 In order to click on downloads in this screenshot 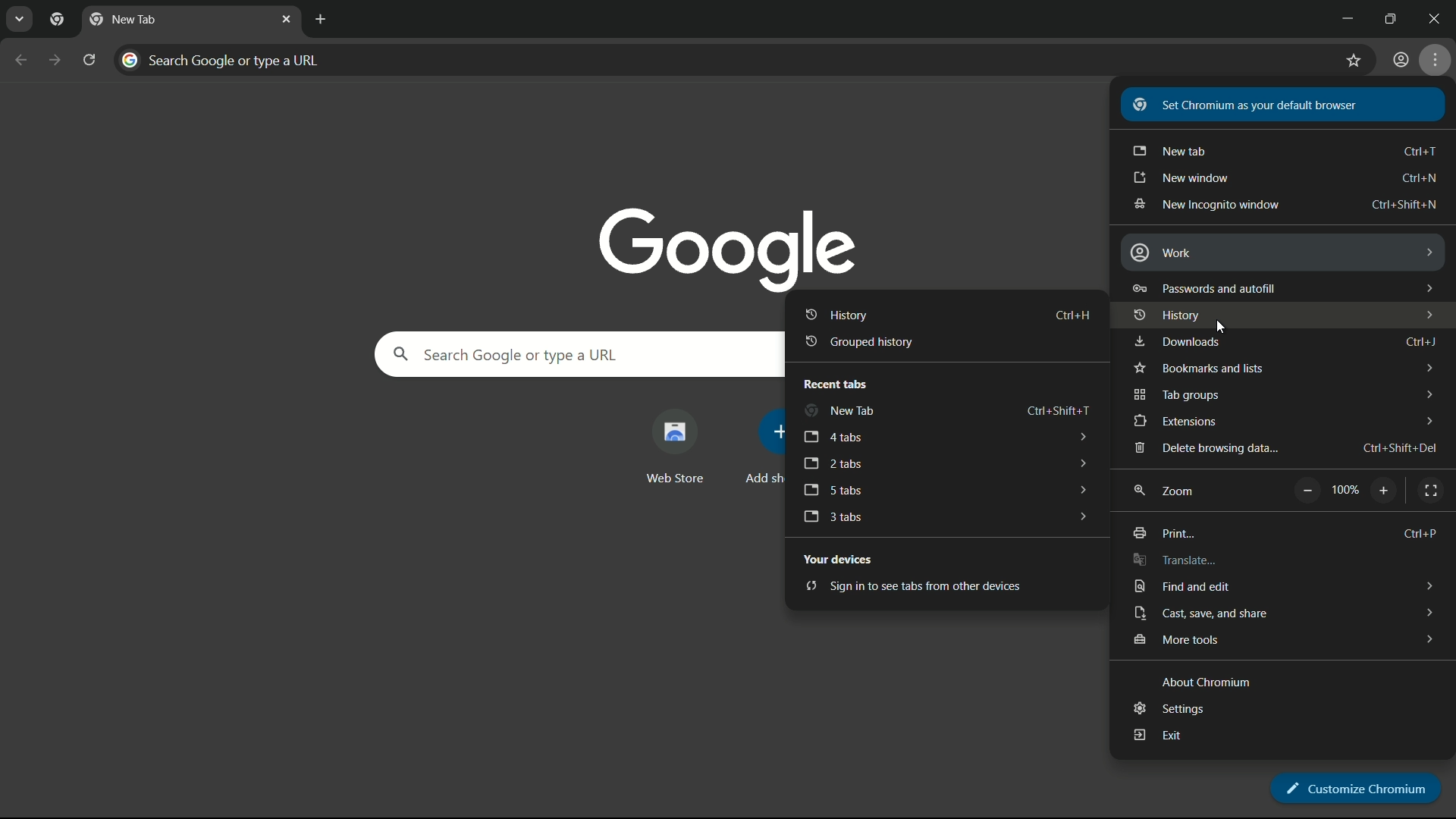, I will do `click(1176, 343)`.